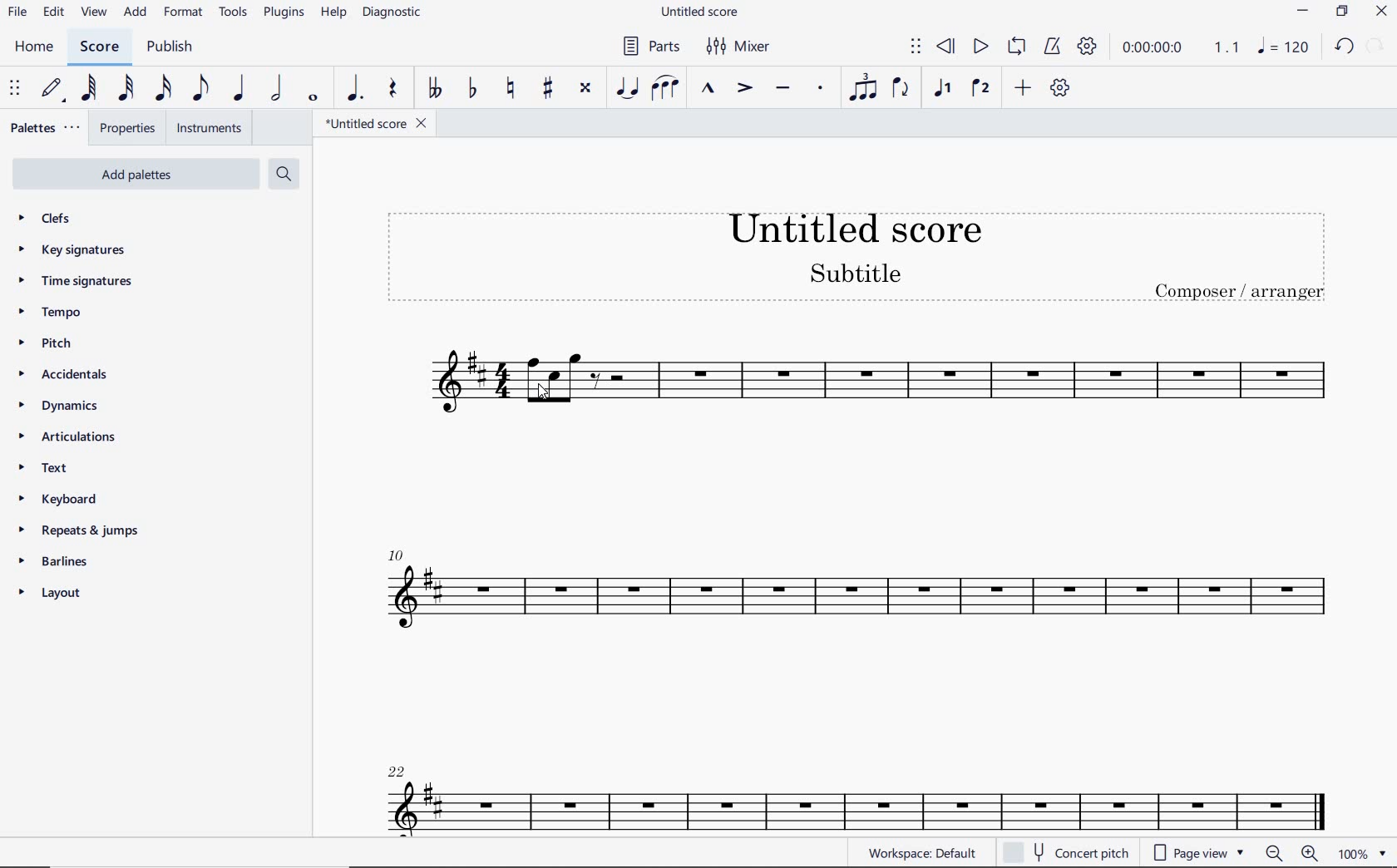  Describe the element at coordinates (283, 173) in the screenshot. I see `SEARCH PALETTES` at that location.